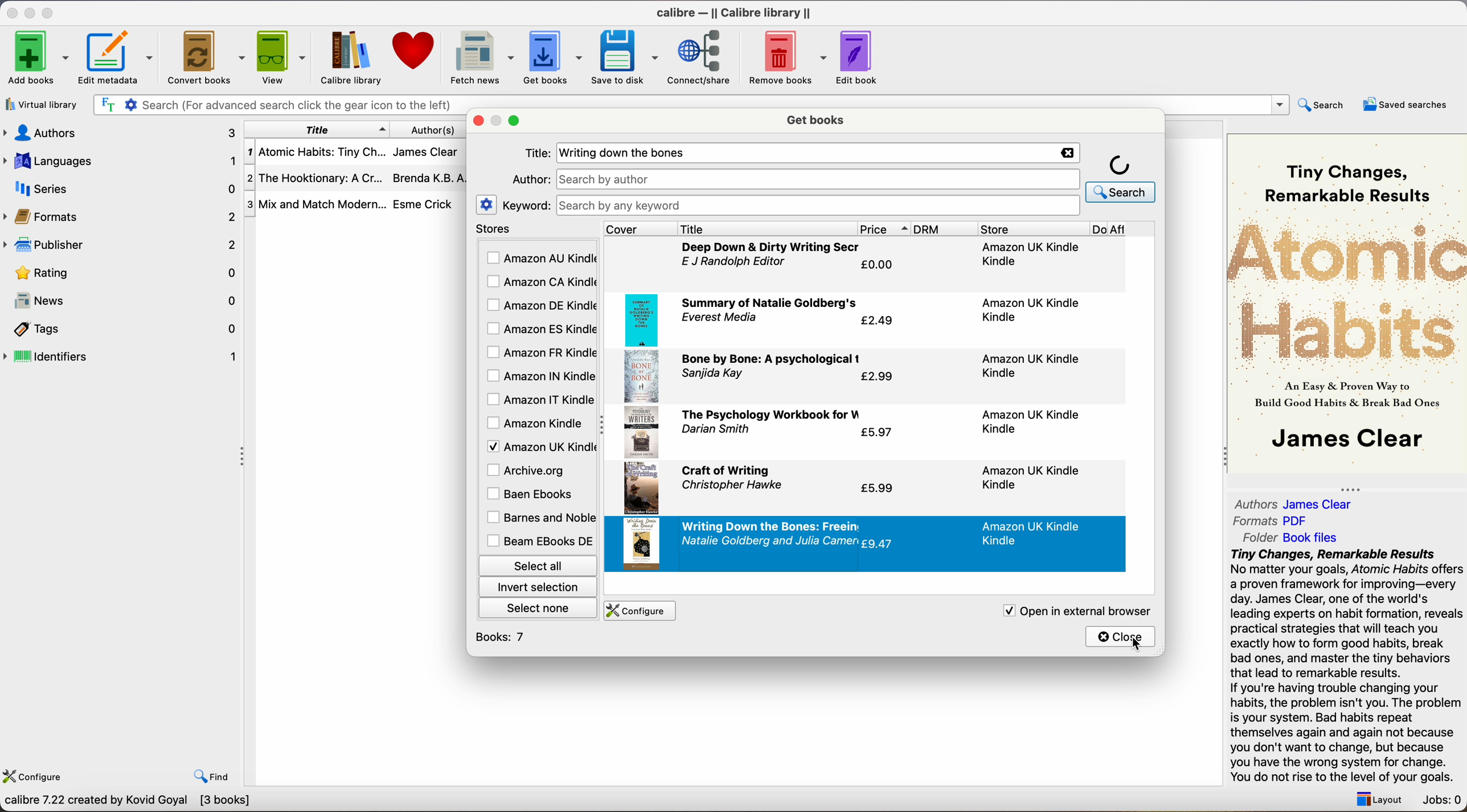 This screenshot has width=1467, height=812. I want to click on add books, so click(38, 59).